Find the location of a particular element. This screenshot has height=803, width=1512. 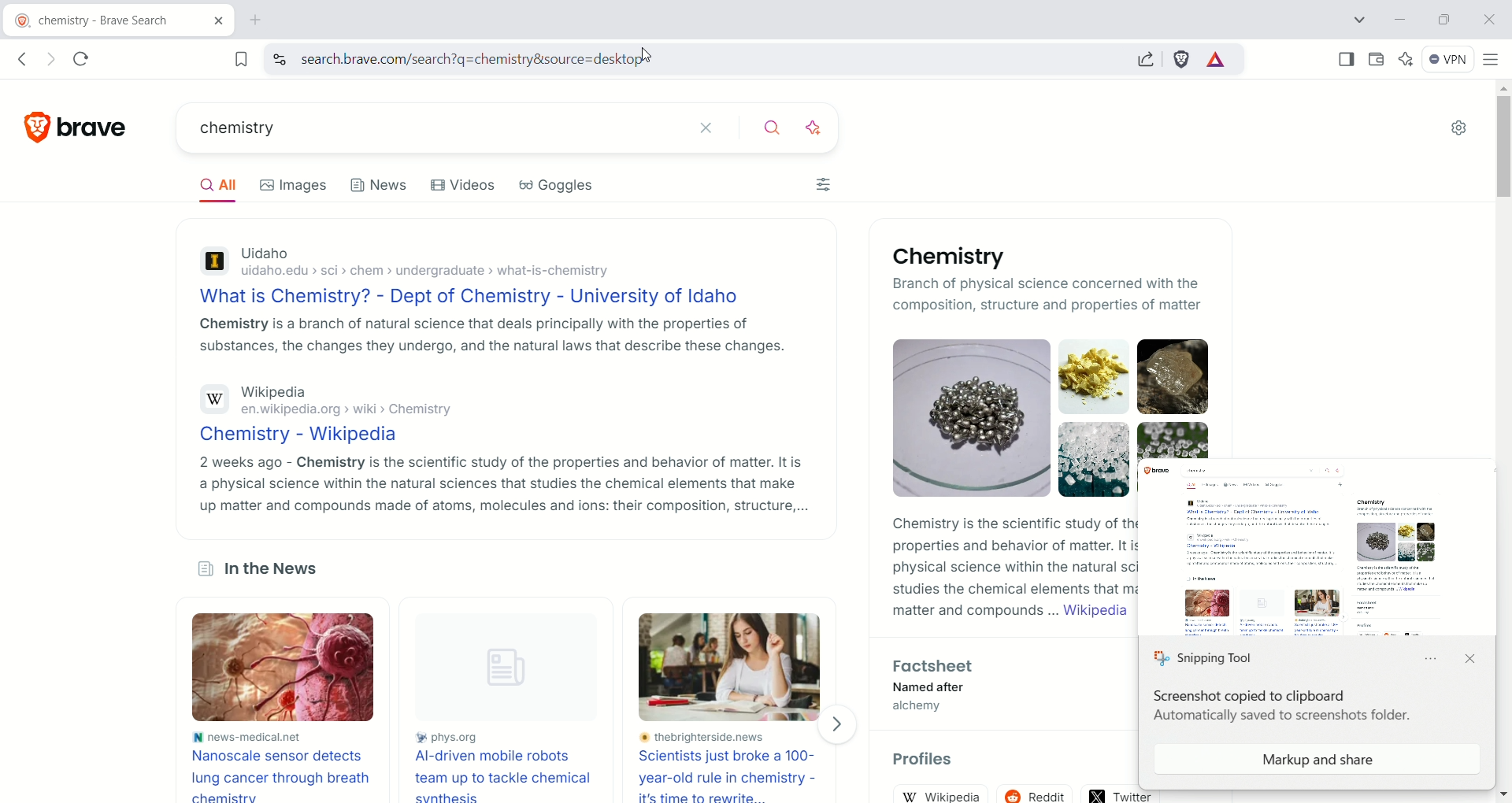

Profiles is located at coordinates (932, 761).